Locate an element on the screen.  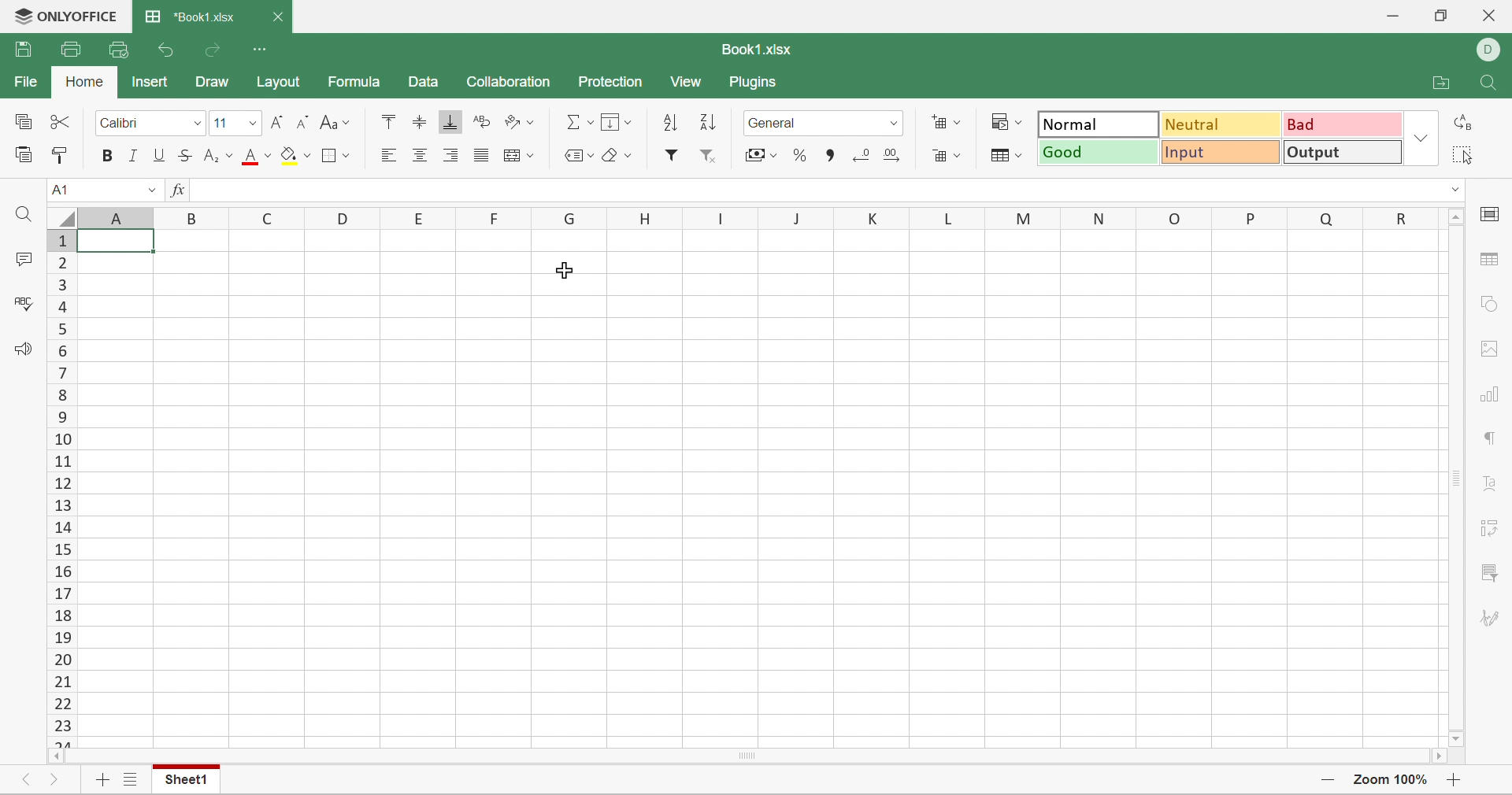
Wrap Text is located at coordinates (479, 123).